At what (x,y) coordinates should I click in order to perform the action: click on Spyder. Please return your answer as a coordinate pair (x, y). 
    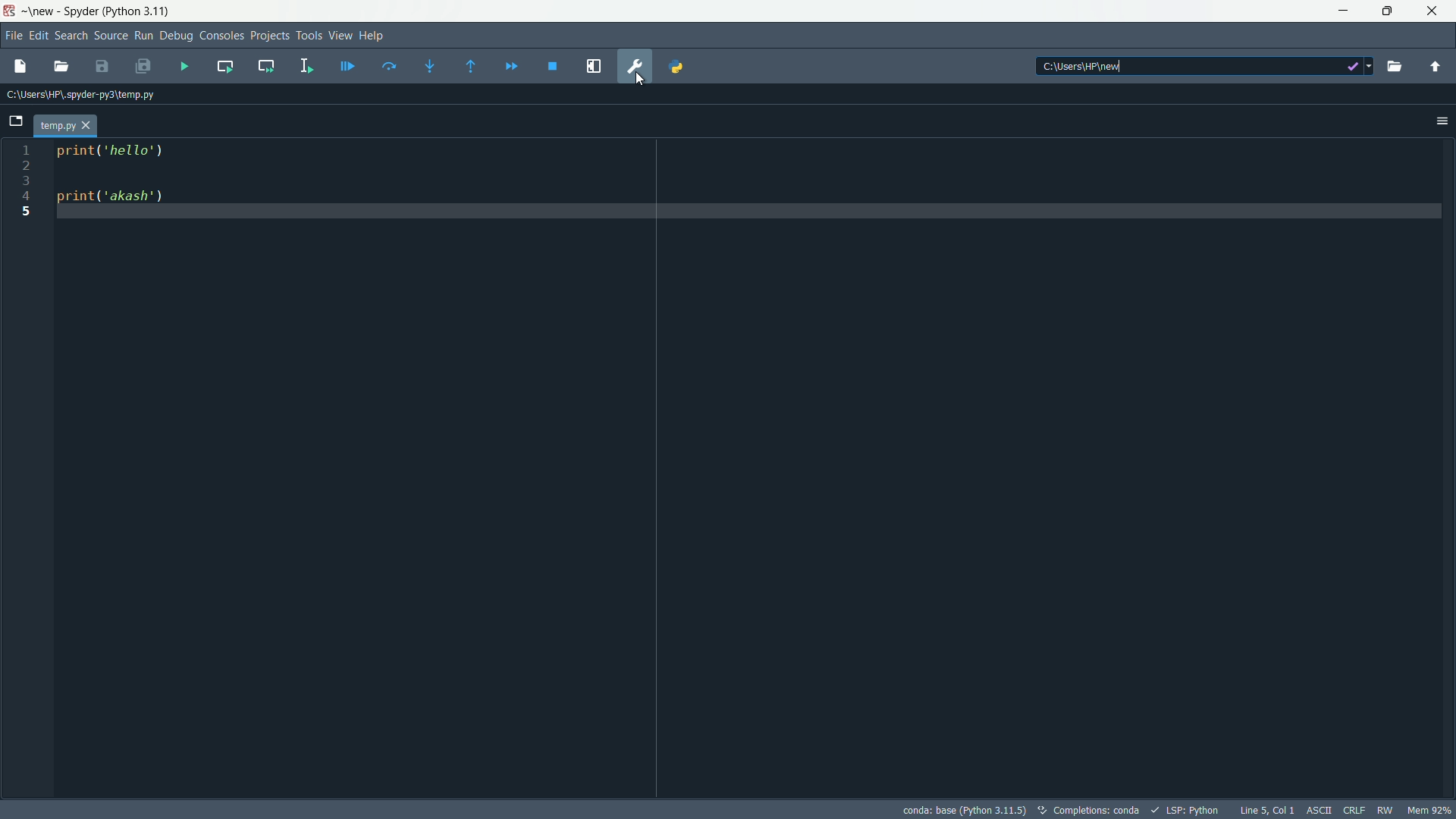
    Looking at the image, I should click on (78, 11).